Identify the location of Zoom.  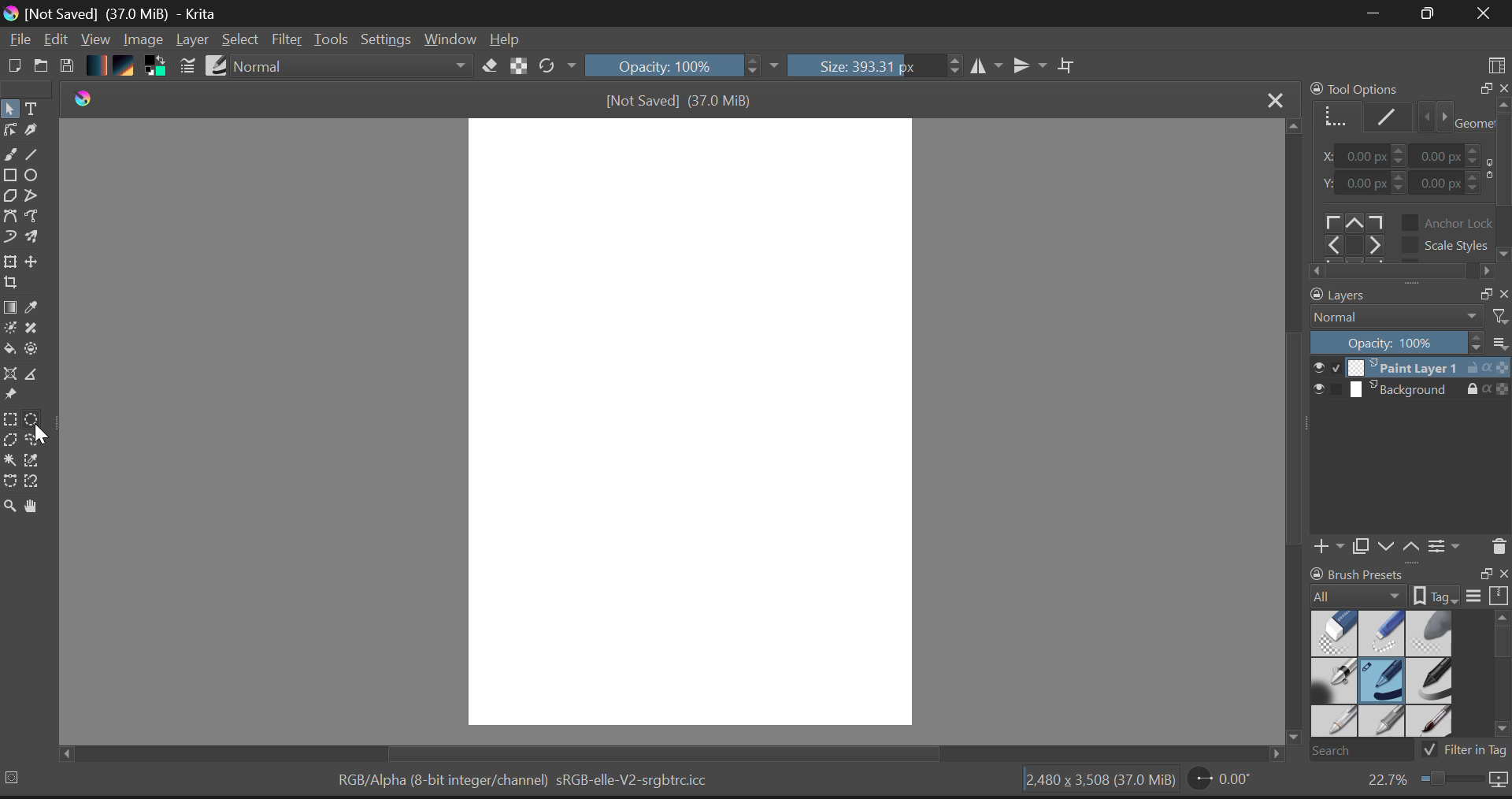
(9, 504).